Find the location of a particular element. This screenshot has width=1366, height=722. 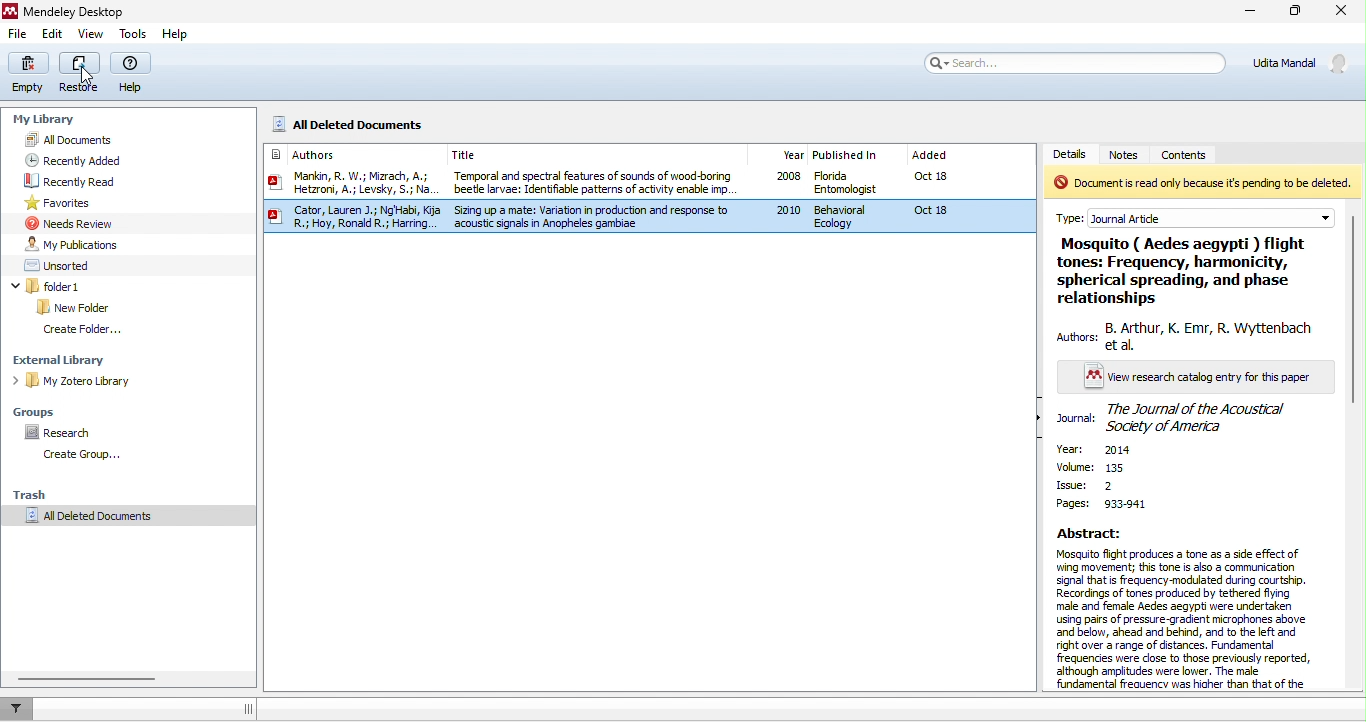

issue is located at coordinates (1084, 485).